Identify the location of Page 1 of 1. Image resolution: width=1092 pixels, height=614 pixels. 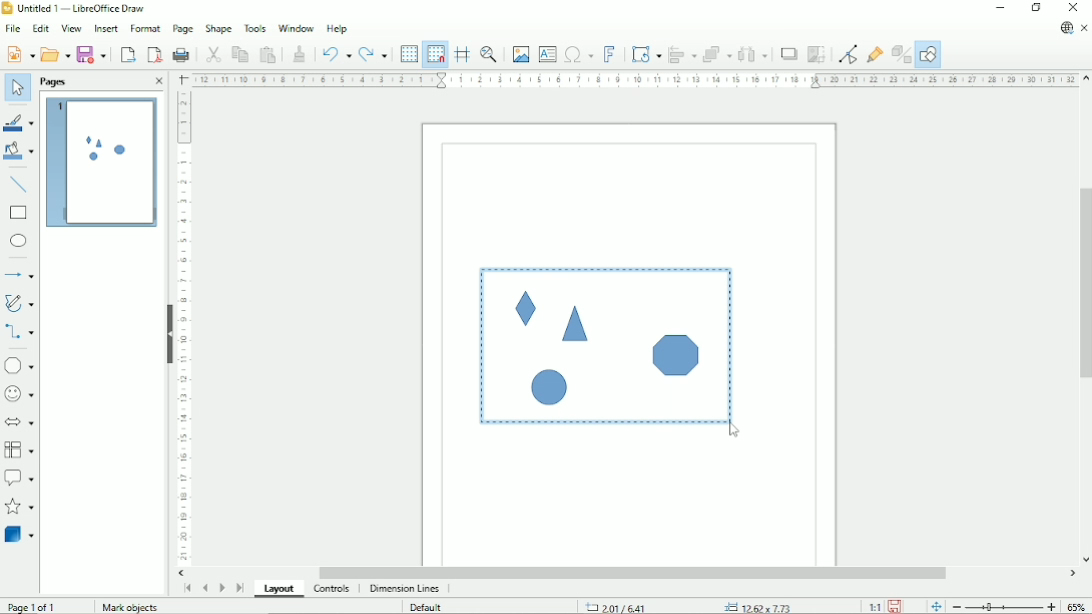
(43, 606).